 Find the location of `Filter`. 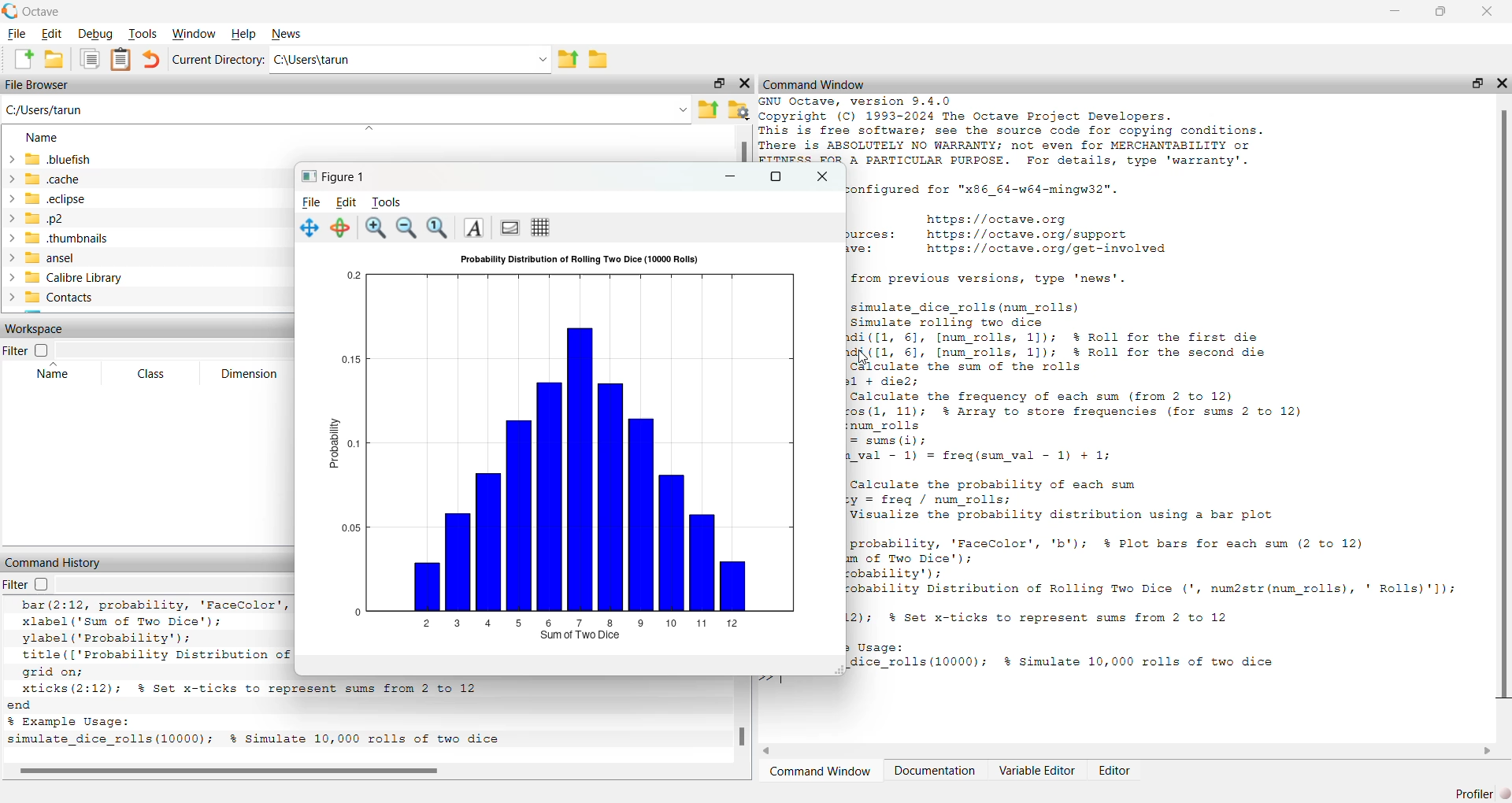

Filter is located at coordinates (28, 585).